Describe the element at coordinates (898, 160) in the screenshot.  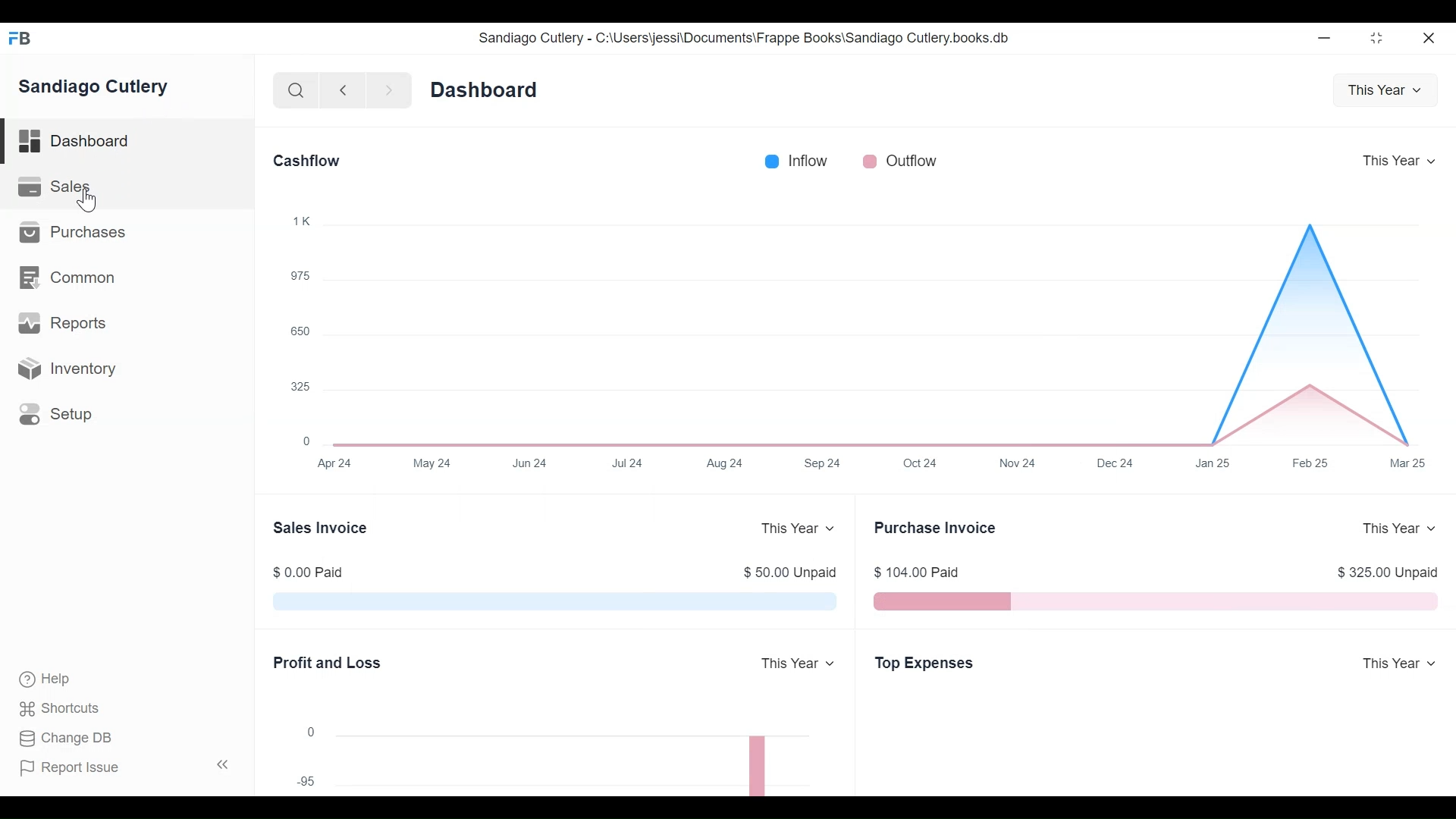
I see `Outflow` at that location.